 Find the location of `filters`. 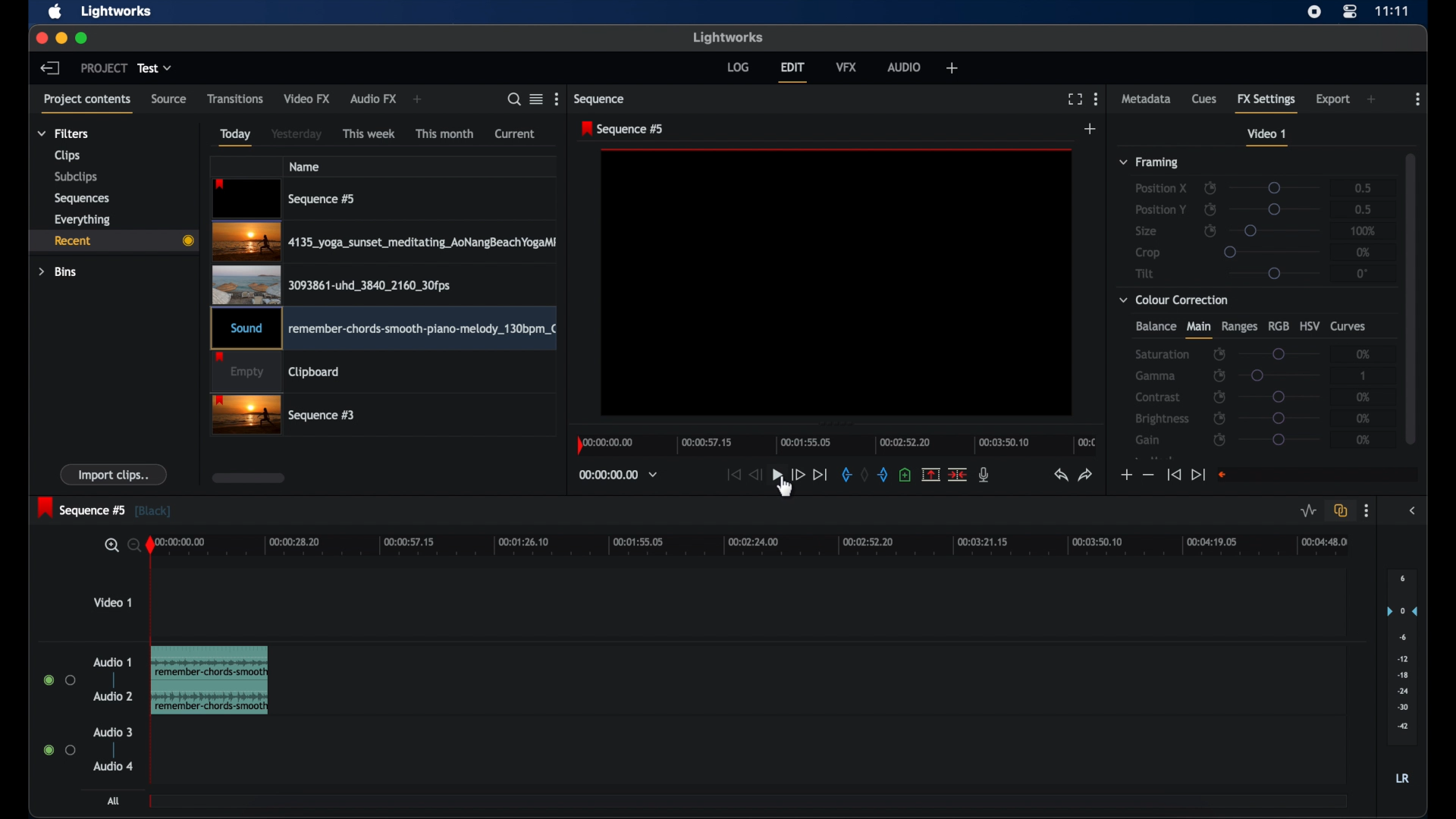

filters is located at coordinates (64, 133).